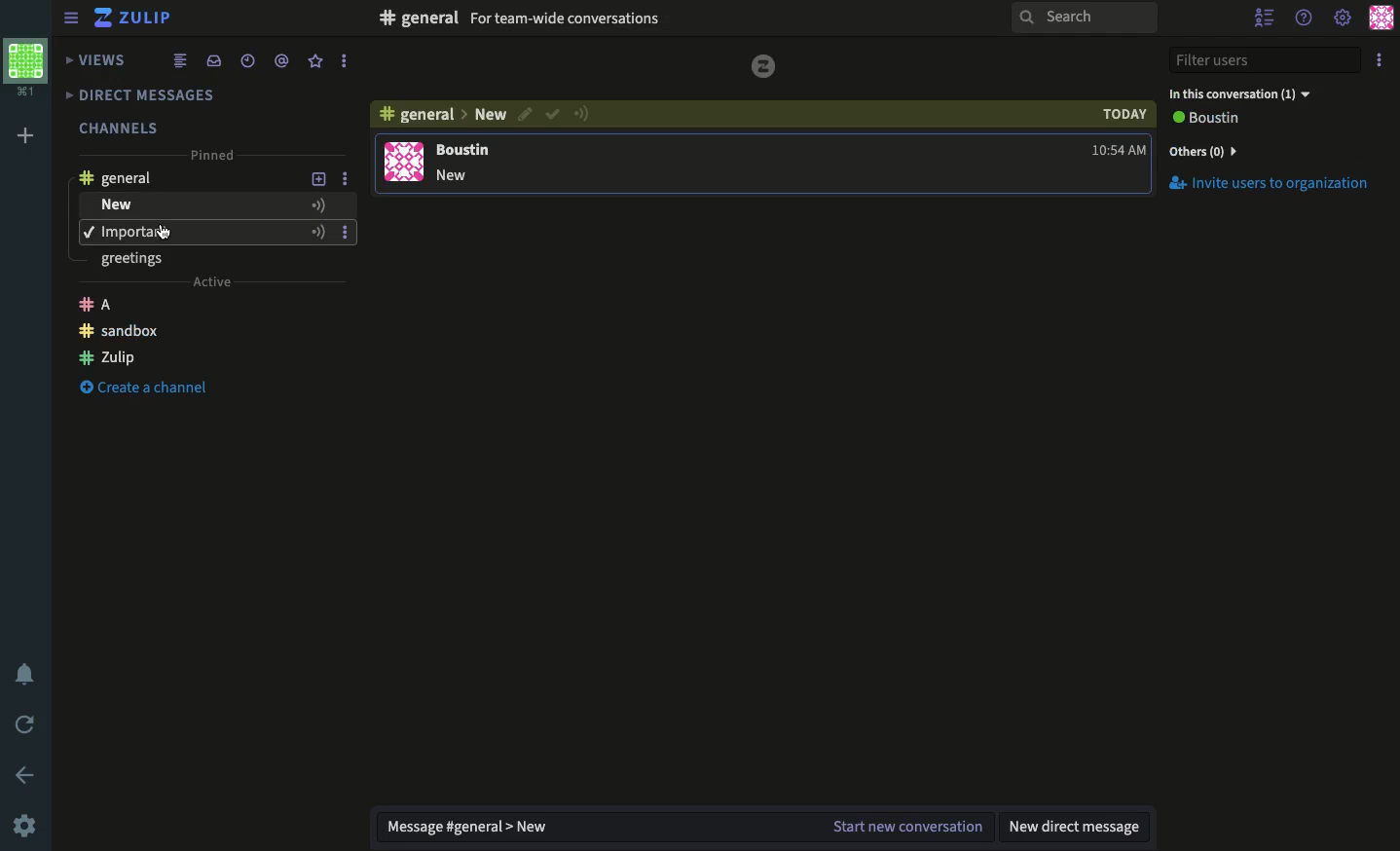 The image size is (1400, 851). Describe the element at coordinates (457, 177) in the screenshot. I see `message` at that location.